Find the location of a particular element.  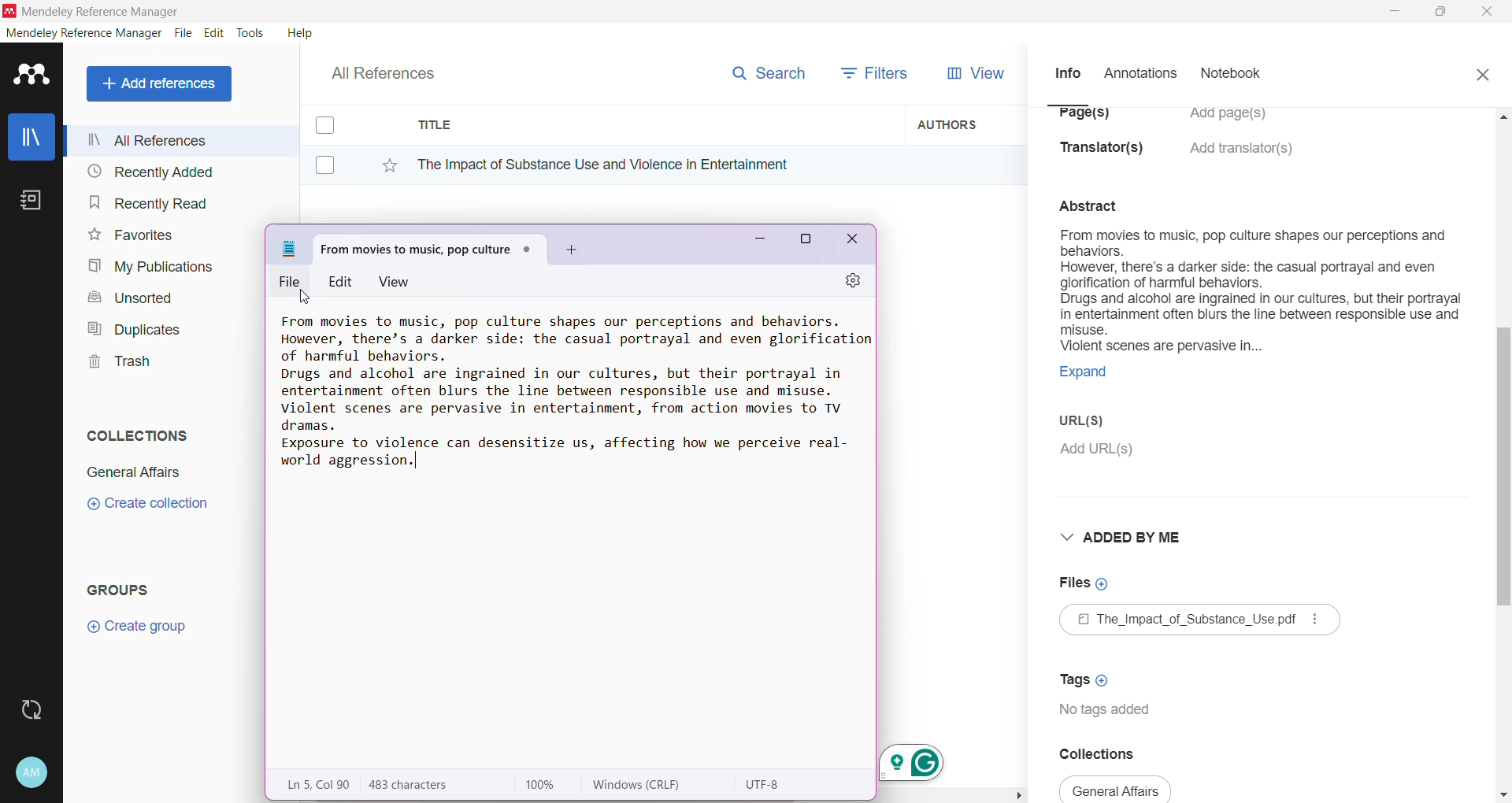

Click to Add to Favorites is located at coordinates (381, 162).